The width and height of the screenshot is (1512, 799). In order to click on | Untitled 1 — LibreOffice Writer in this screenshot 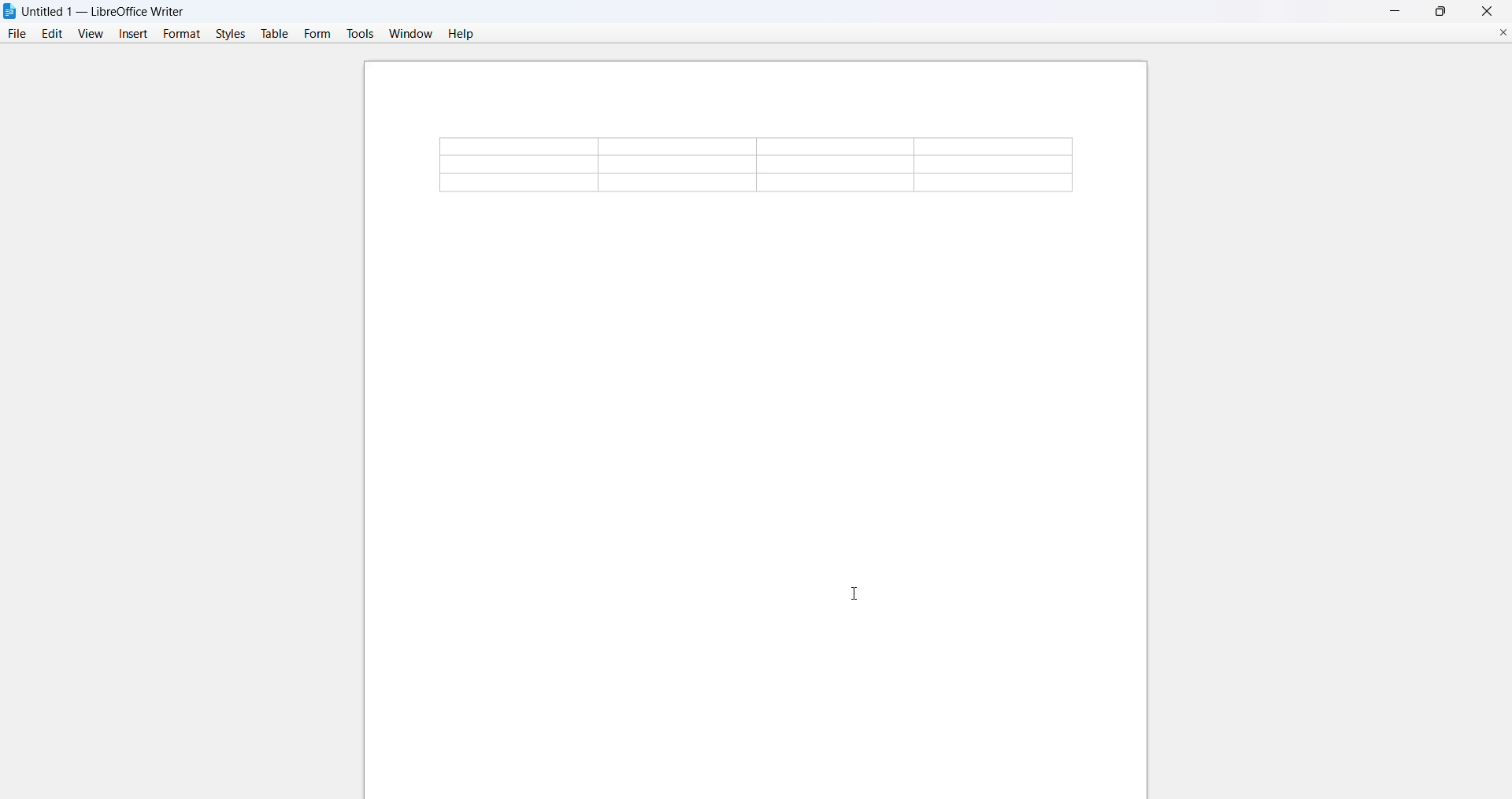, I will do `click(106, 10)`.